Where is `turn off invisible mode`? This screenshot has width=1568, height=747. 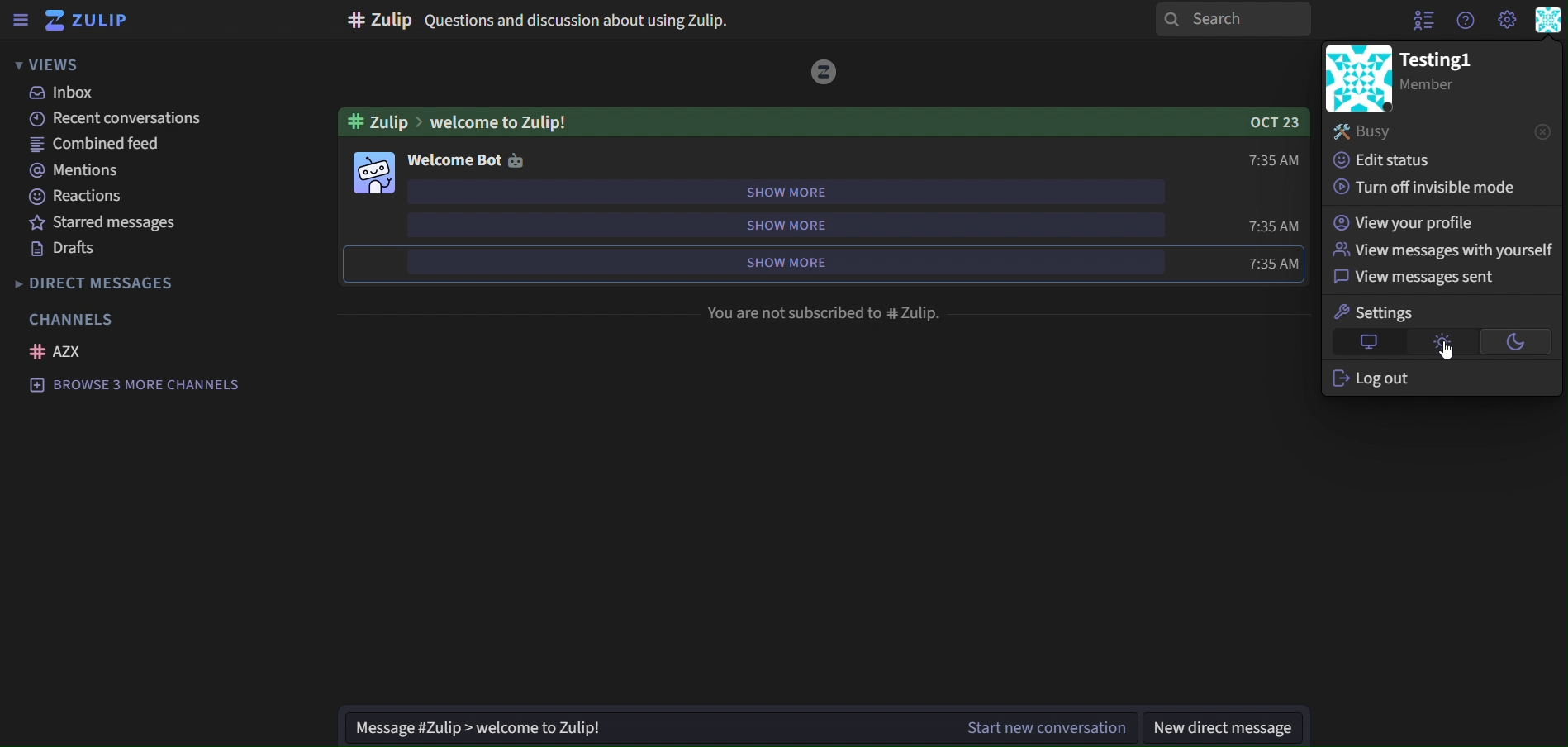
turn off invisible mode is located at coordinates (1427, 188).